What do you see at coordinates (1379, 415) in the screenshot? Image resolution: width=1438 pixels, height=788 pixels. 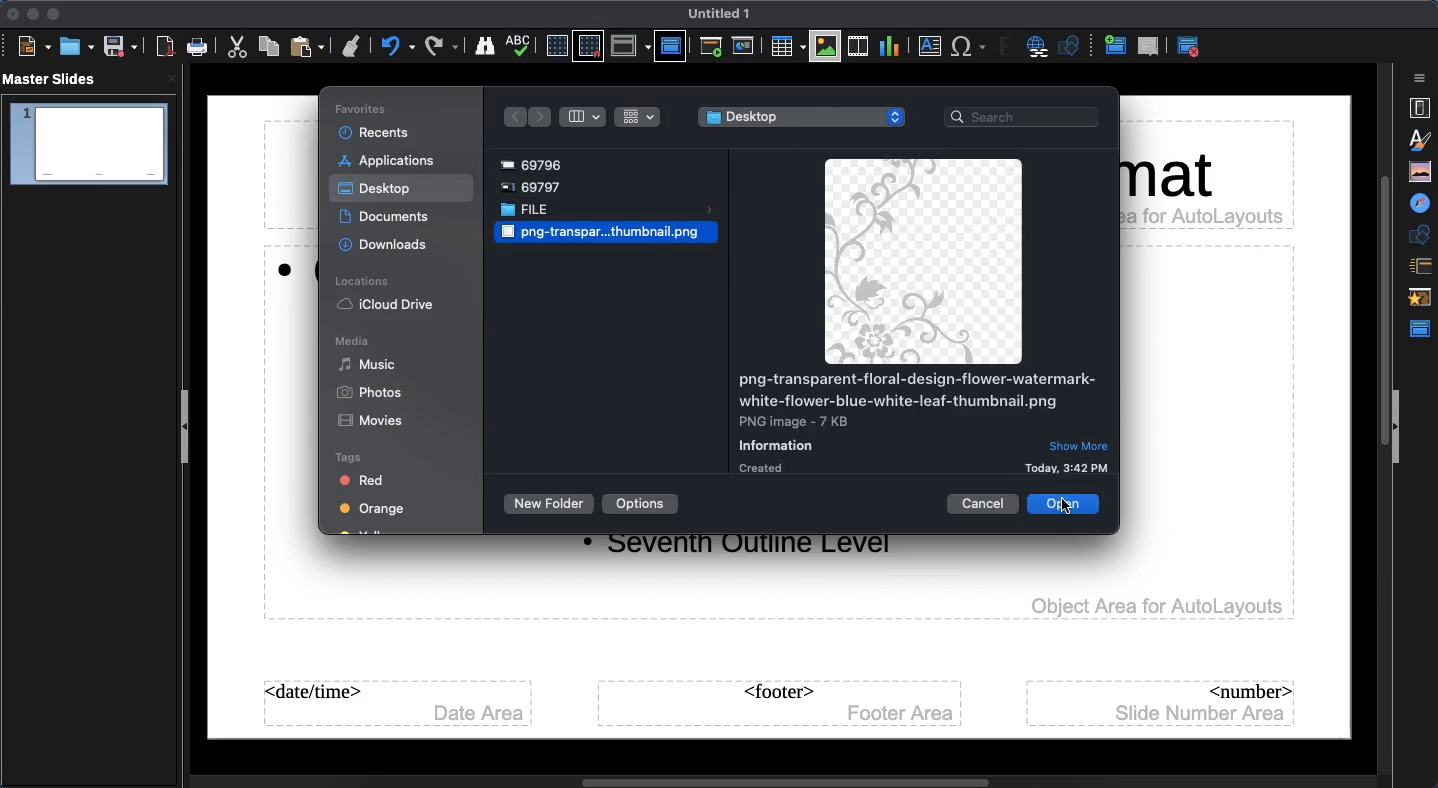 I see `vertical Scrollbar` at bounding box center [1379, 415].